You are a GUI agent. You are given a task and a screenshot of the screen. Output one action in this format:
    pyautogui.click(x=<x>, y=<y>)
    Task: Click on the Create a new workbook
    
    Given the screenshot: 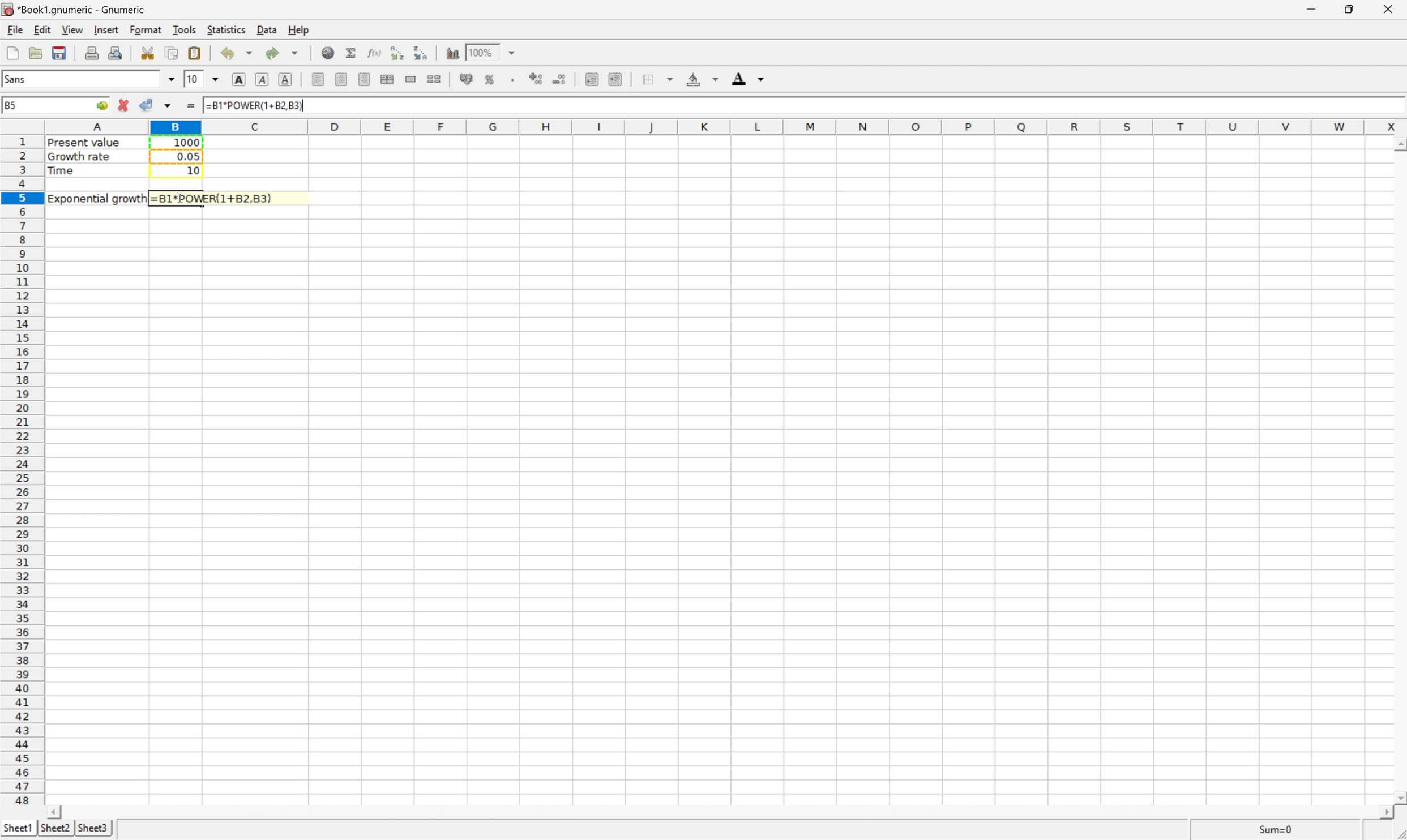 What is the action you would take?
    pyautogui.click(x=13, y=53)
    